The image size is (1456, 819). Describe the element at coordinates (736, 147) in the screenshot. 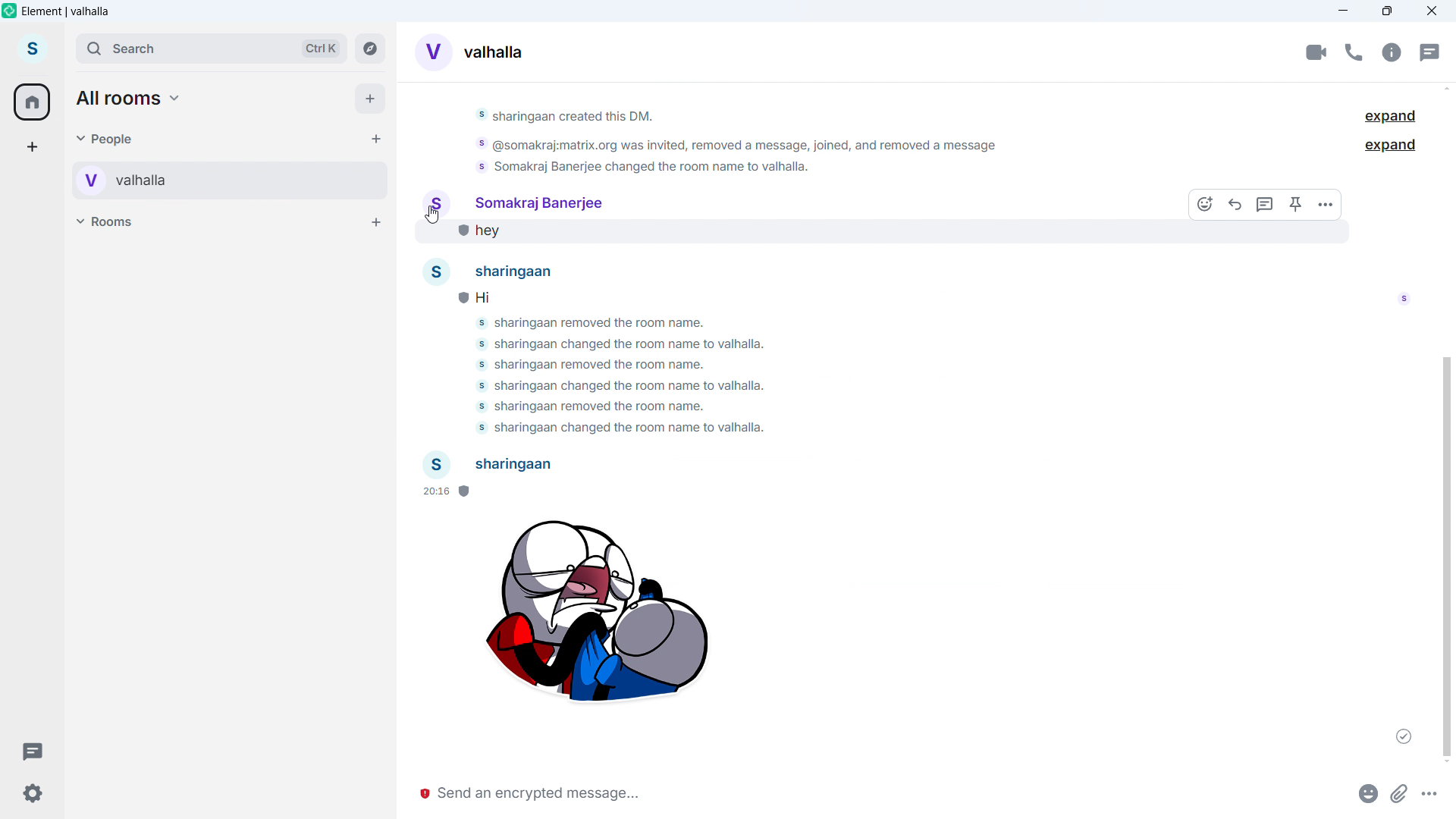

I see `@somakraj:matrix.org was invited, removed a message, joined, and removed a message` at that location.